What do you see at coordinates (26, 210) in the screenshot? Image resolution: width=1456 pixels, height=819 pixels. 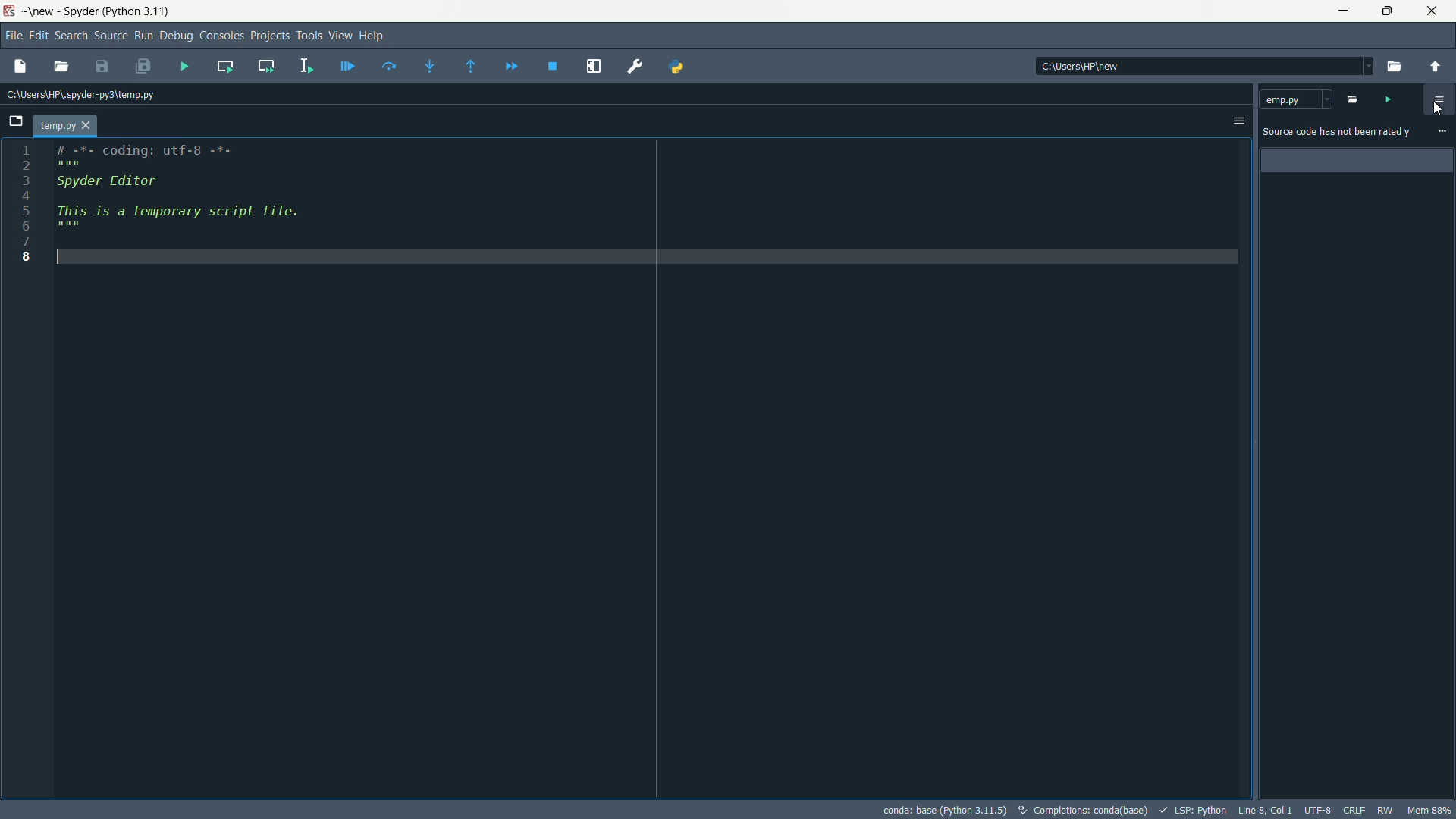 I see `5` at bounding box center [26, 210].